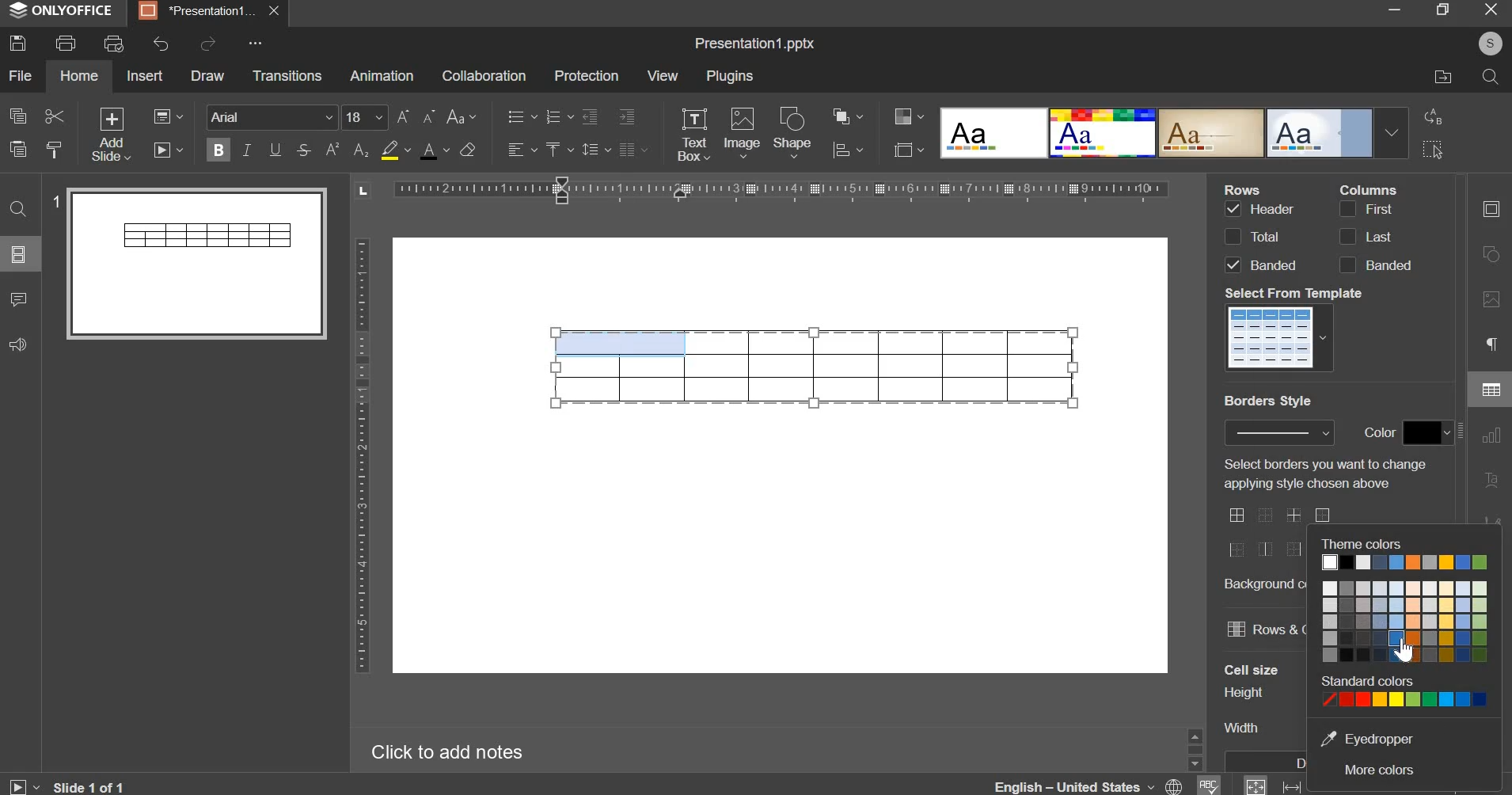 The height and width of the screenshot is (795, 1512). What do you see at coordinates (443, 749) in the screenshot?
I see `Click to add notes` at bounding box center [443, 749].